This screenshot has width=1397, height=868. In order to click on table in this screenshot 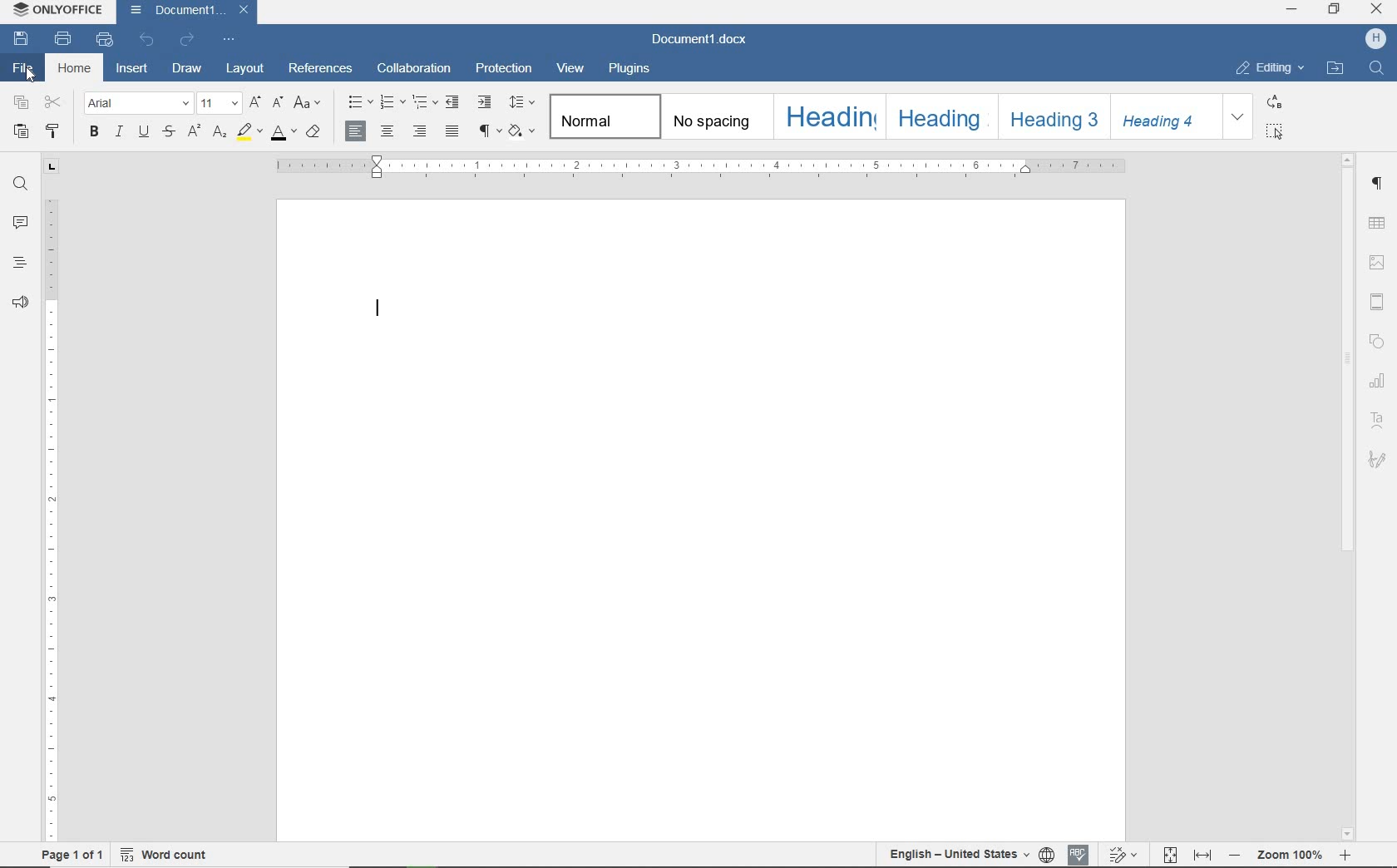, I will do `click(1376, 224)`.